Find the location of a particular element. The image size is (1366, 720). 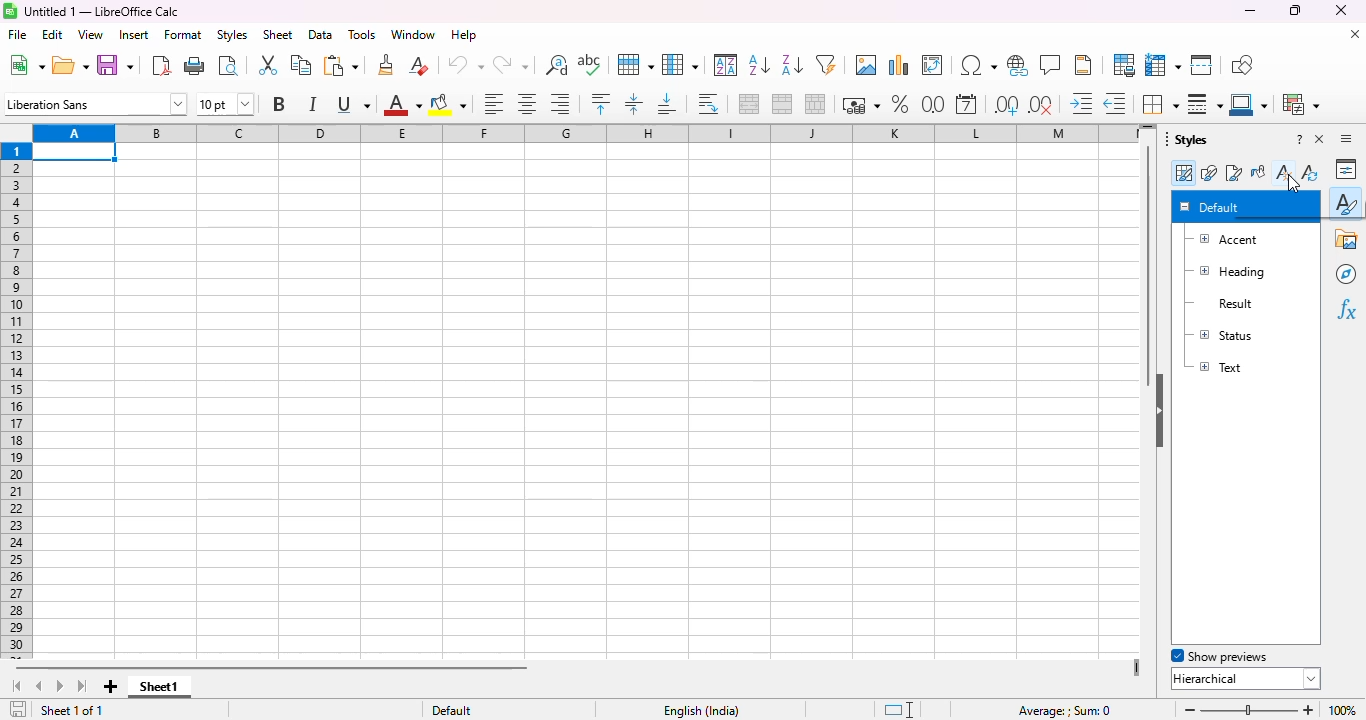

close sidebar deck is located at coordinates (1320, 138).